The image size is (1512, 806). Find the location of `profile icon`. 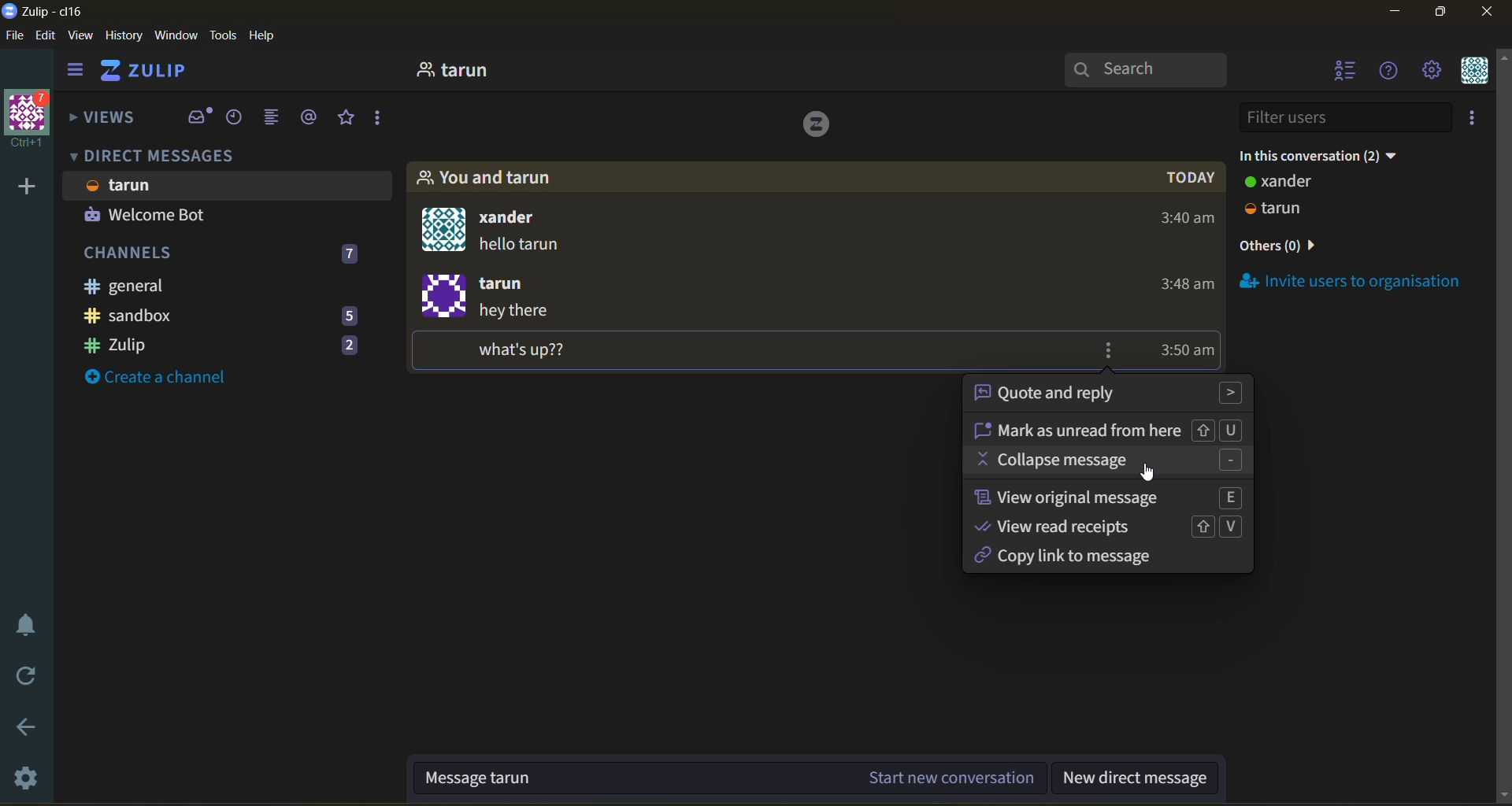

profile icon is located at coordinates (444, 295).